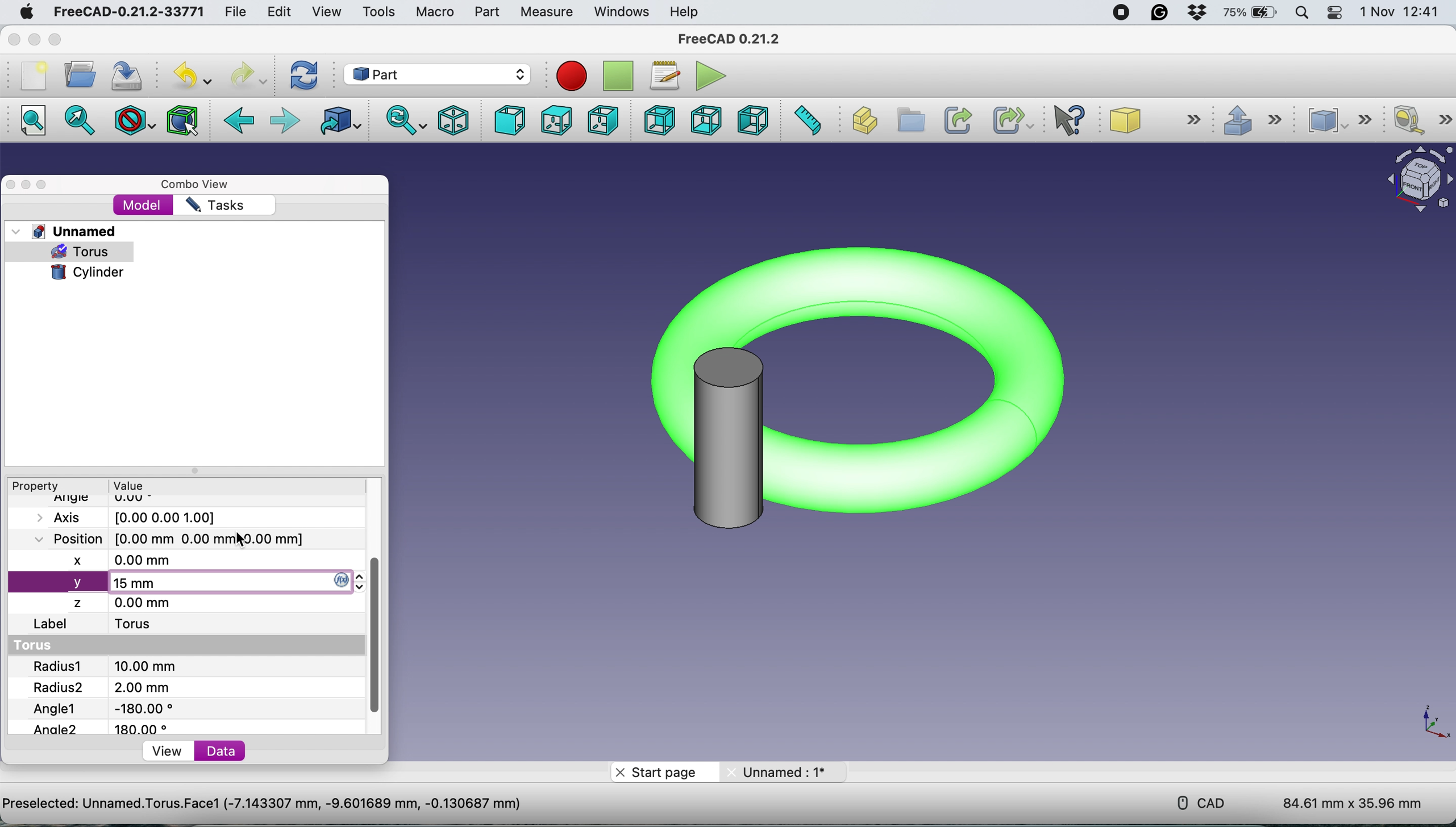 This screenshot has height=827, width=1456. Describe the element at coordinates (190, 76) in the screenshot. I see `undo` at that location.